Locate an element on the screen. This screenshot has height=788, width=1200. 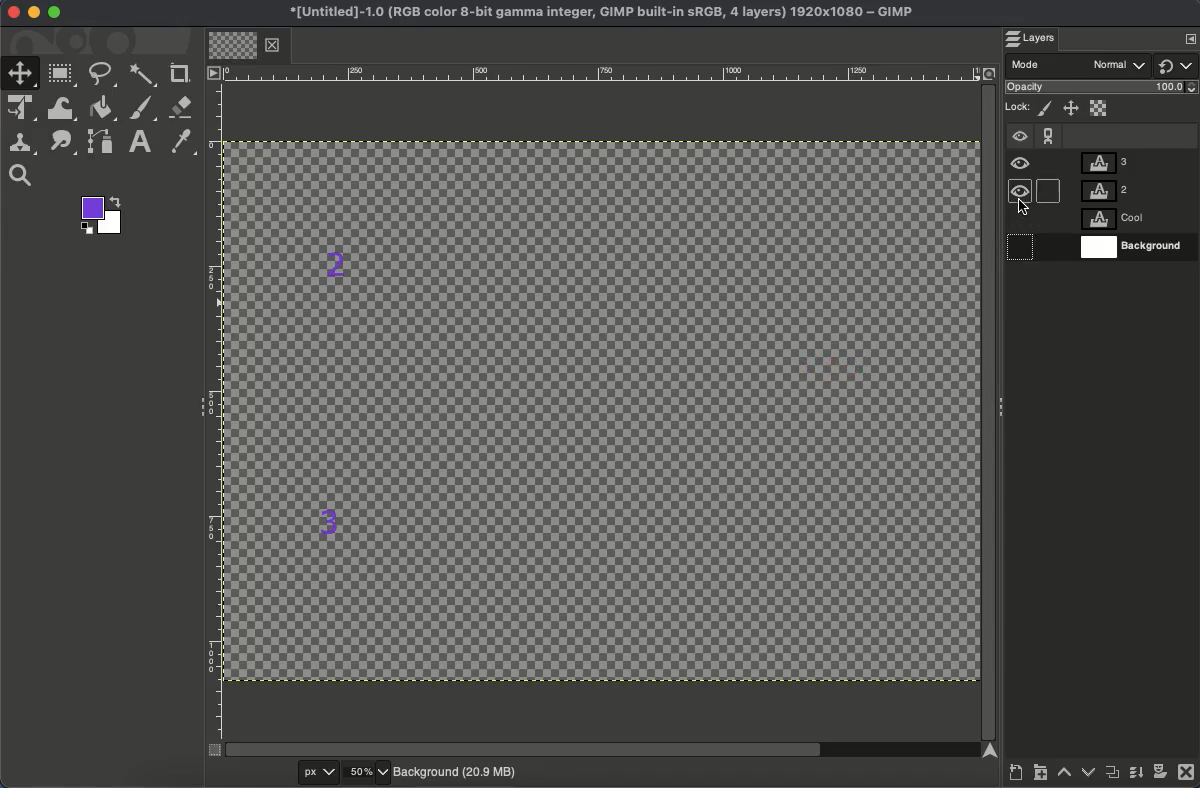
cursor is located at coordinates (1023, 206).